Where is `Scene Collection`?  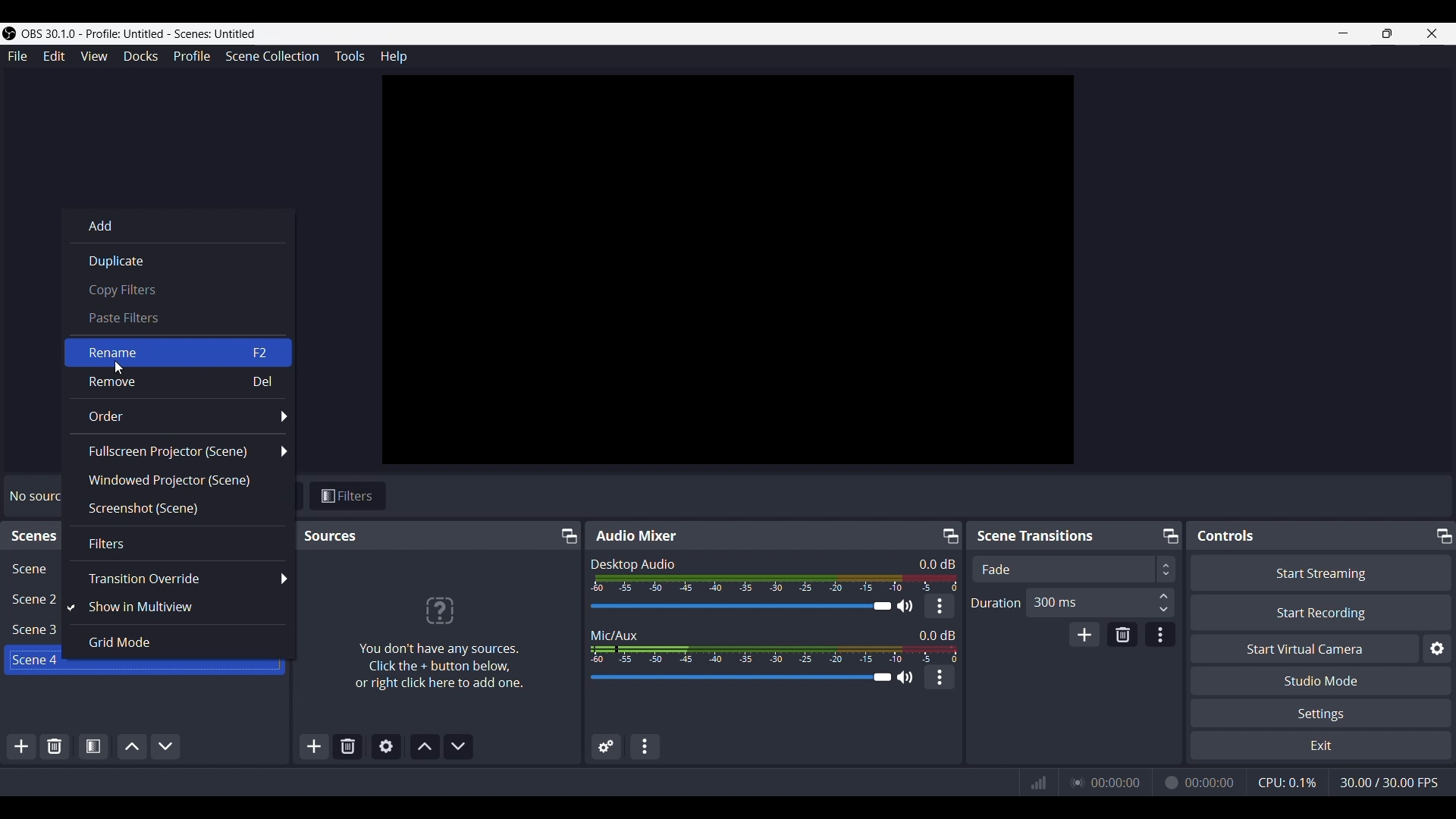
Scene Collection is located at coordinates (273, 55).